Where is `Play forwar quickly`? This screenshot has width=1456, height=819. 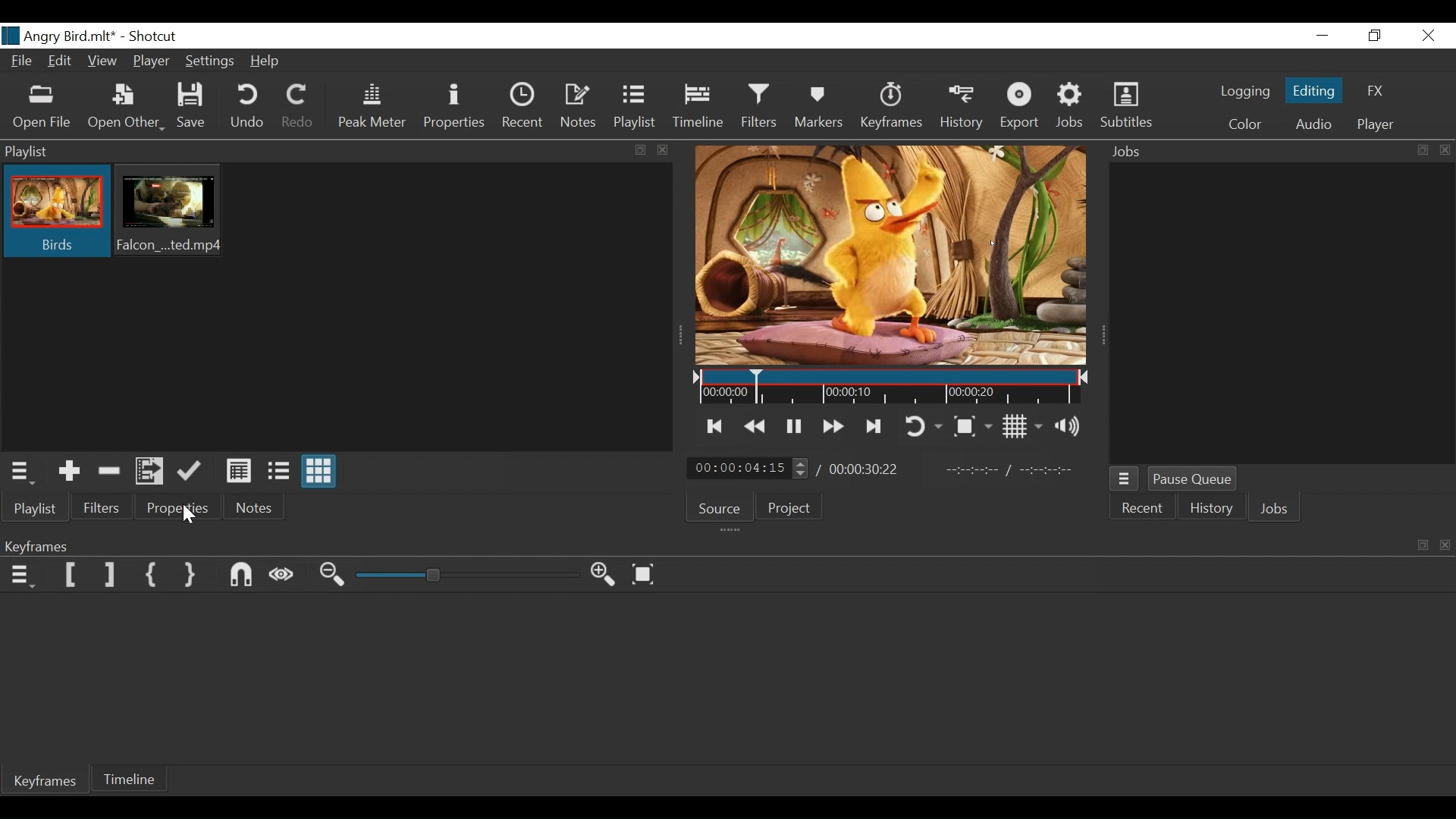
Play forwar quickly is located at coordinates (834, 426).